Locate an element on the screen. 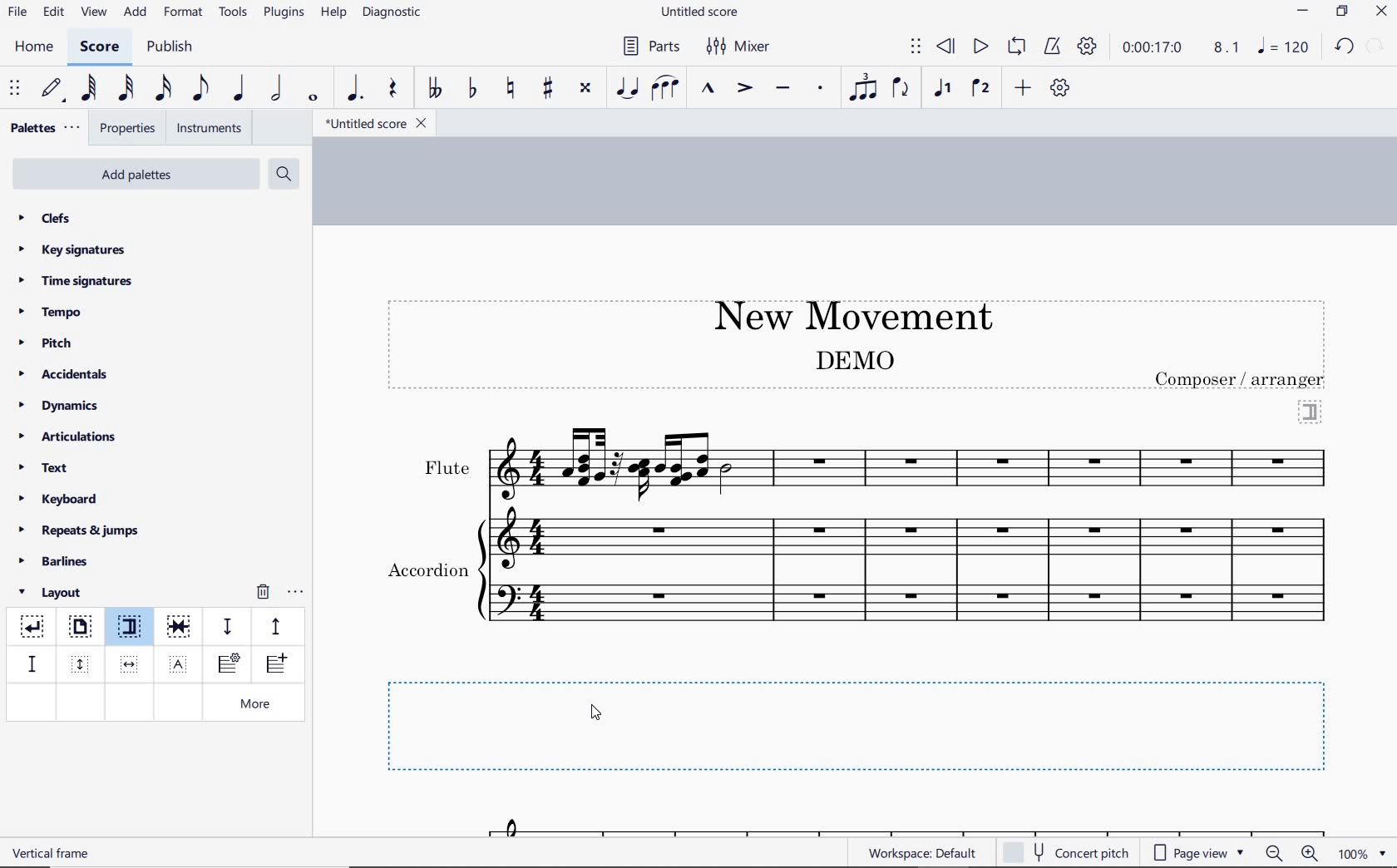 This screenshot has width=1397, height=868. options is located at coordinates (295, 589).